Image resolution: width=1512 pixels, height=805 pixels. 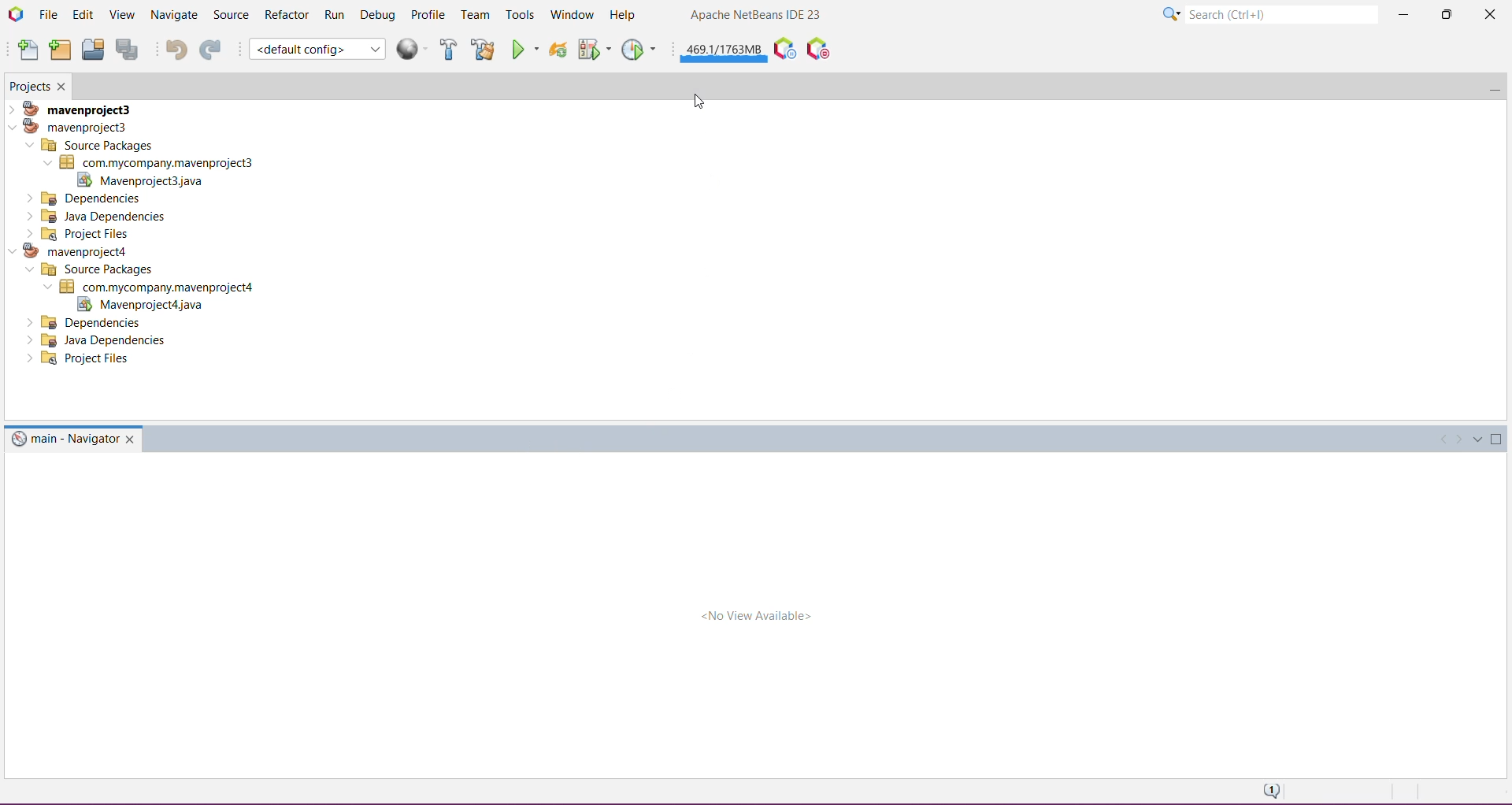 What do you see at coordinates (525, 49) in the screenshot?
I see `Run Main Project` at bounding box center [525, 49].